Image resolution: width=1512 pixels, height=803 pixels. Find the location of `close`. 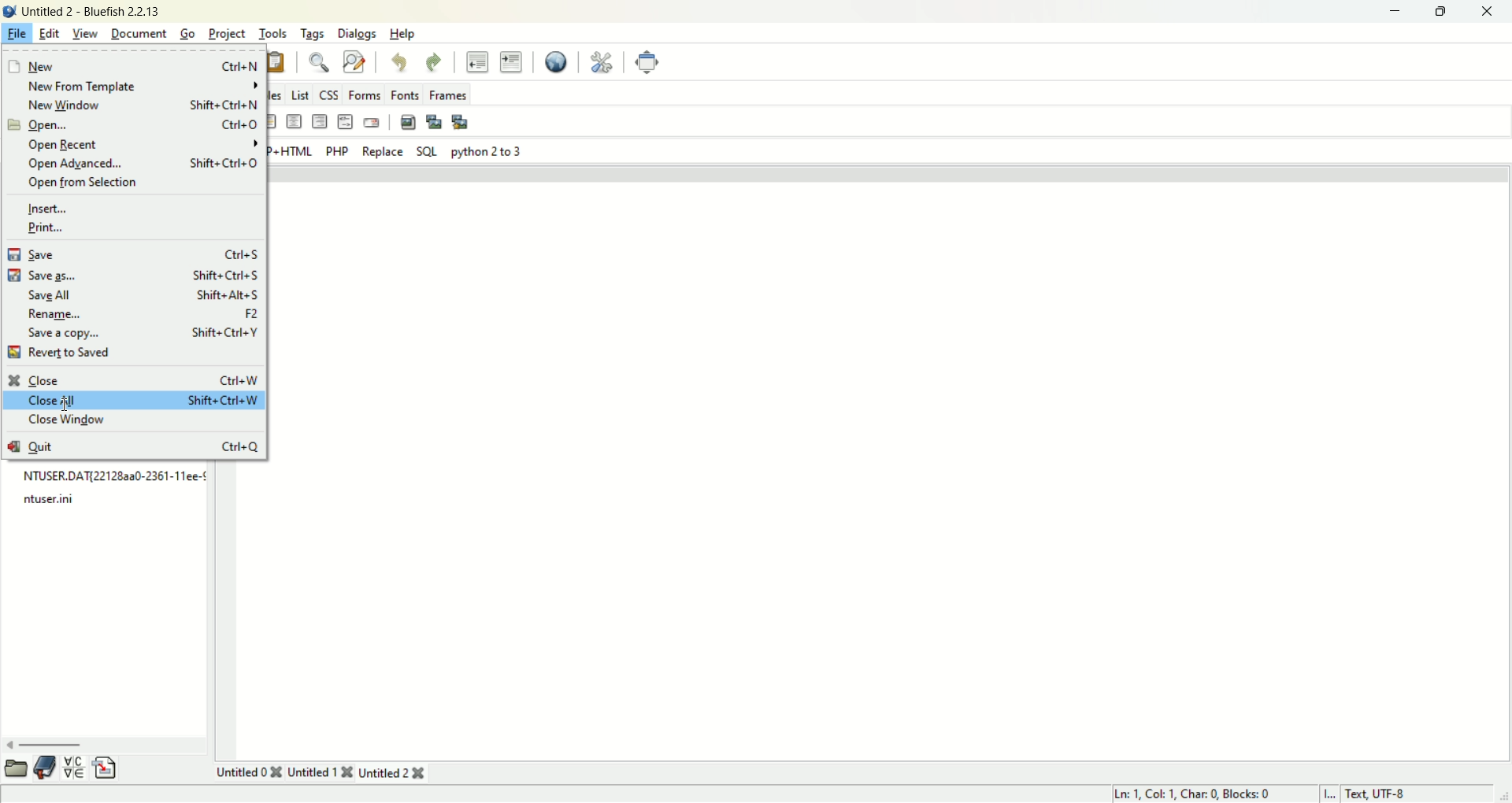

close is located at coordinates (133, 379).